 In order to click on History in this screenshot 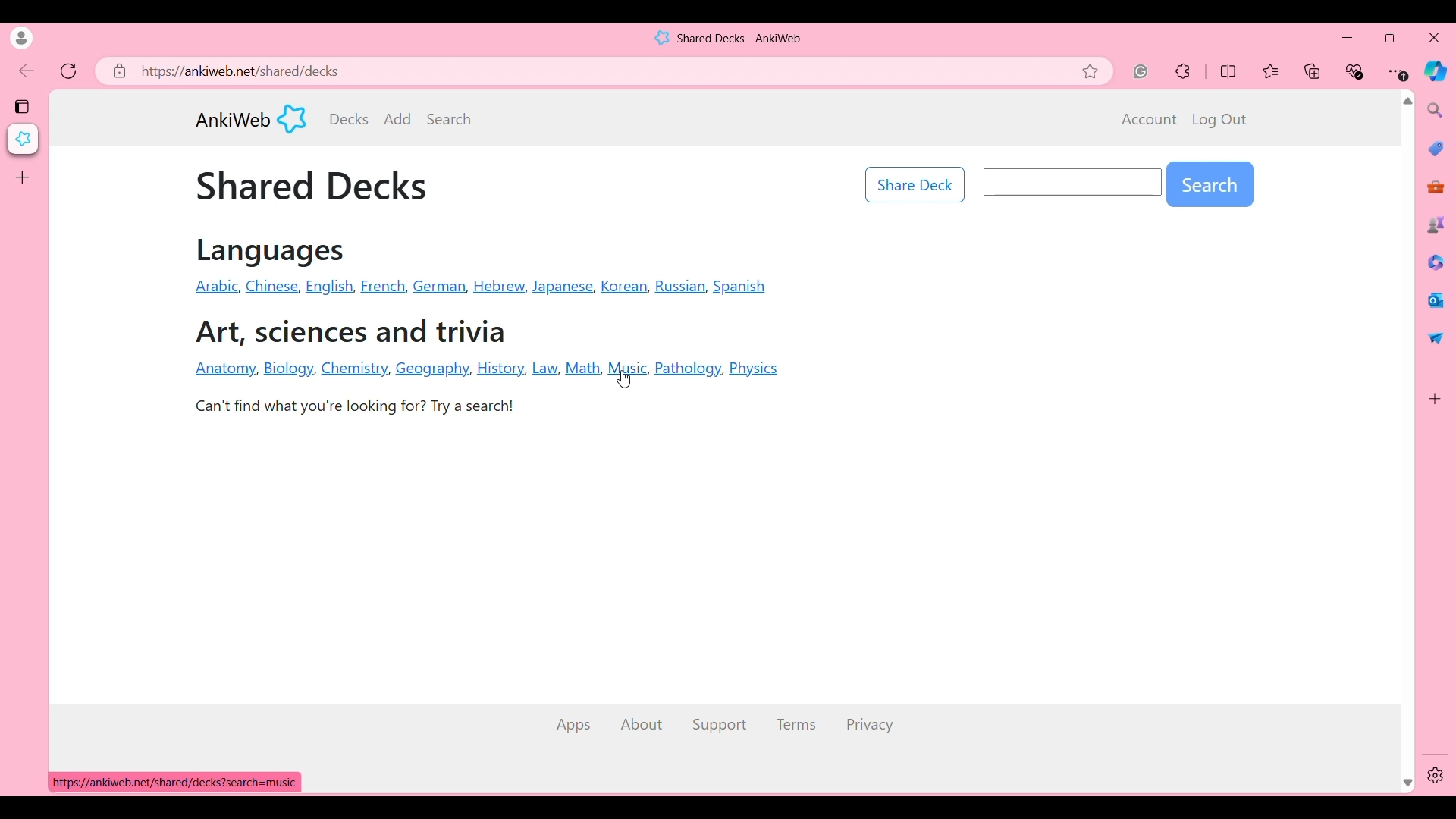, I will do `click(499, 369)`.